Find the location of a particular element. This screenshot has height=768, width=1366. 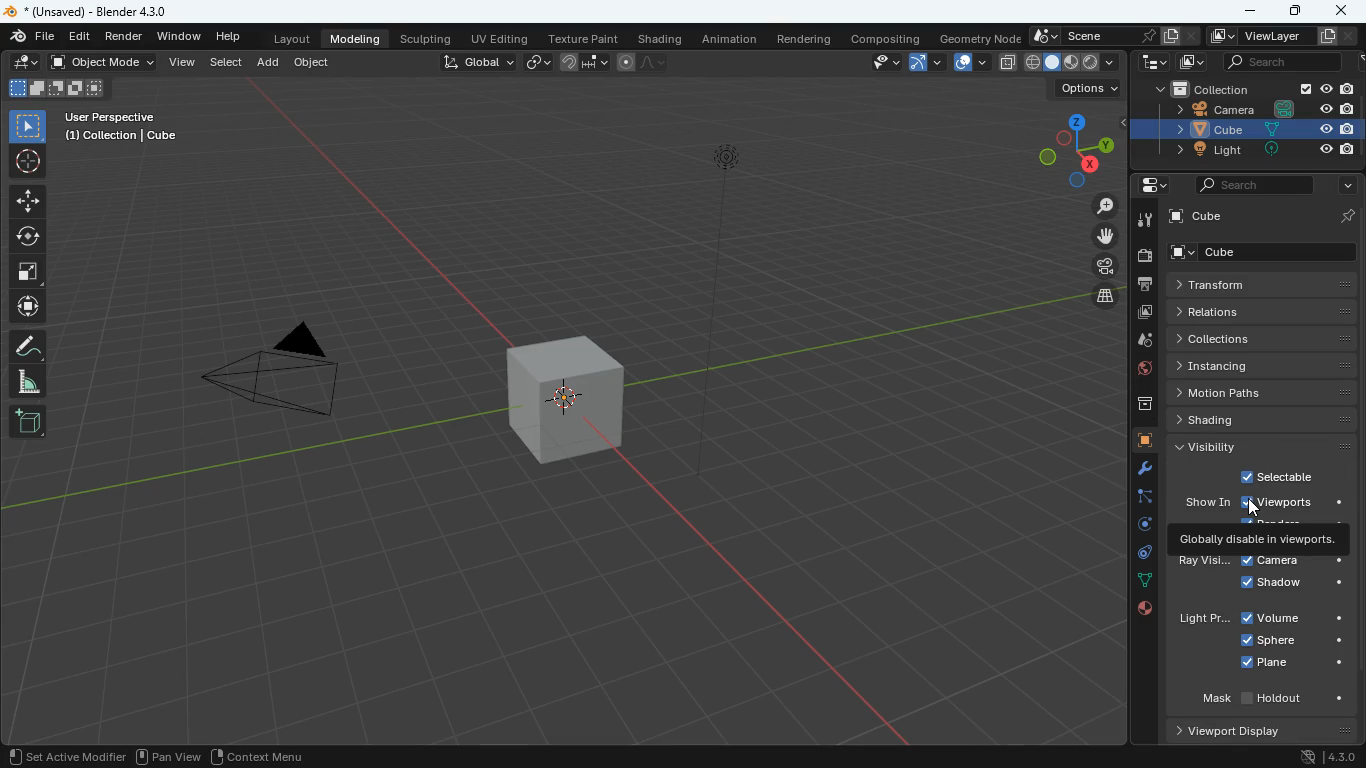

view is located at coordinates (184, 64).